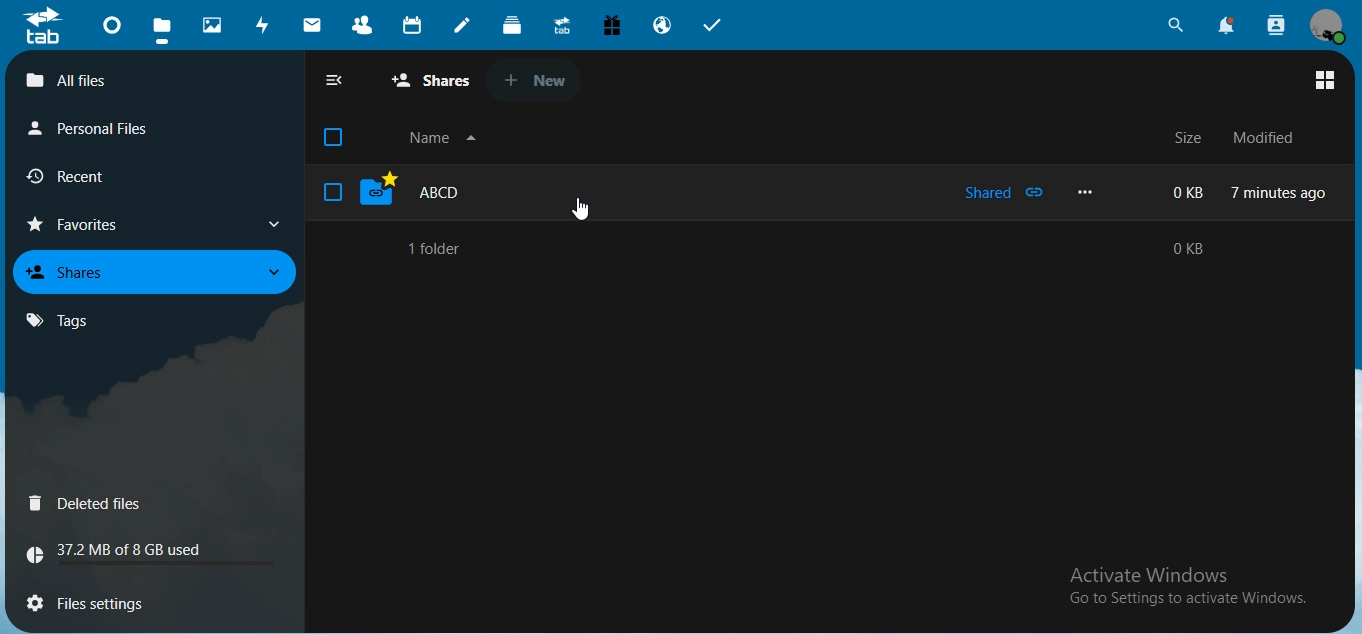 This screenshot has width=1362, height=634. What do you see at coordinates (151, 79) in the screenshot?
I see `all files` at bounding box center [151, 79].